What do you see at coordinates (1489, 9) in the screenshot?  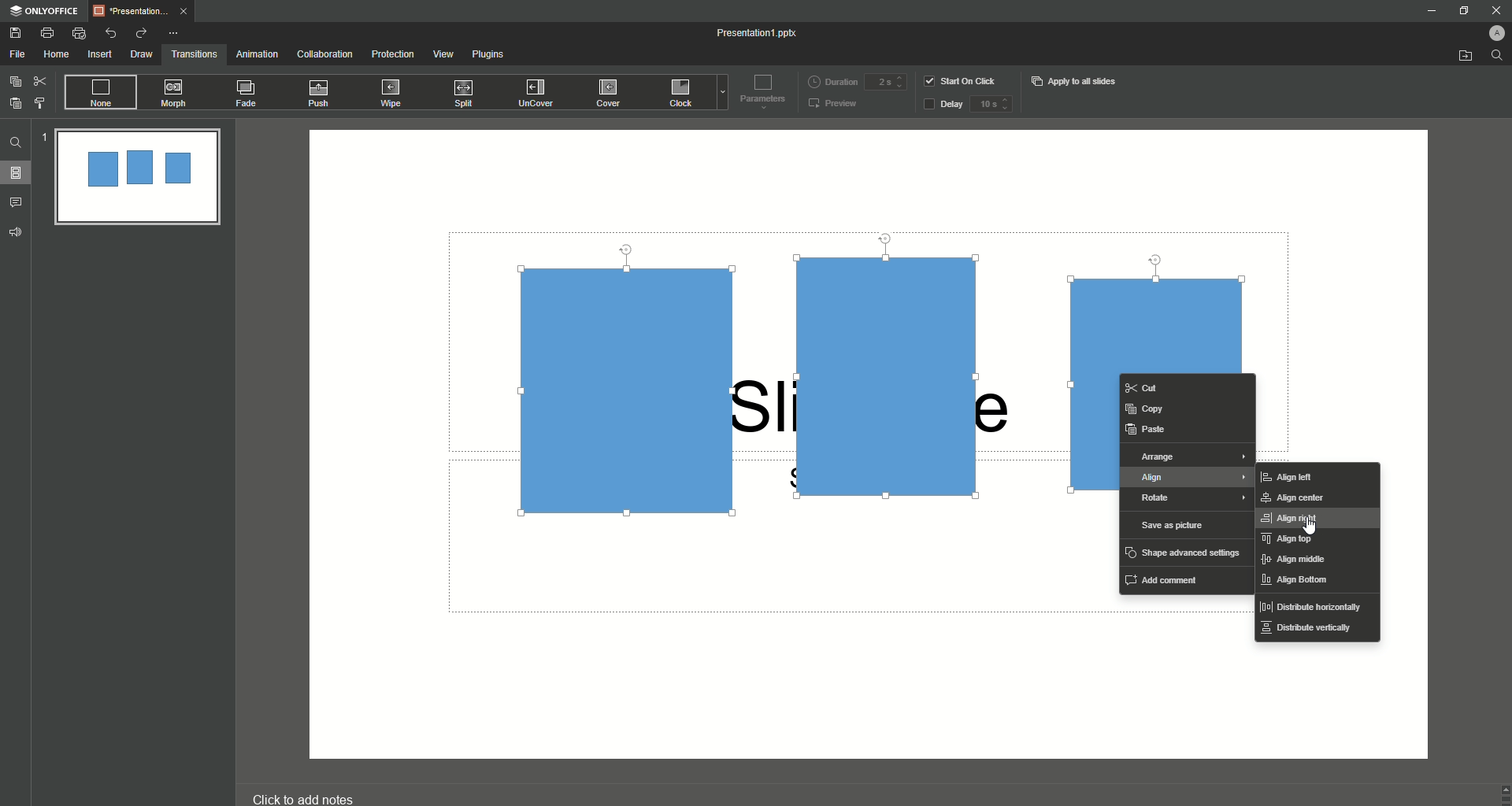 I see `Close` at bounding box center [1489, 9].